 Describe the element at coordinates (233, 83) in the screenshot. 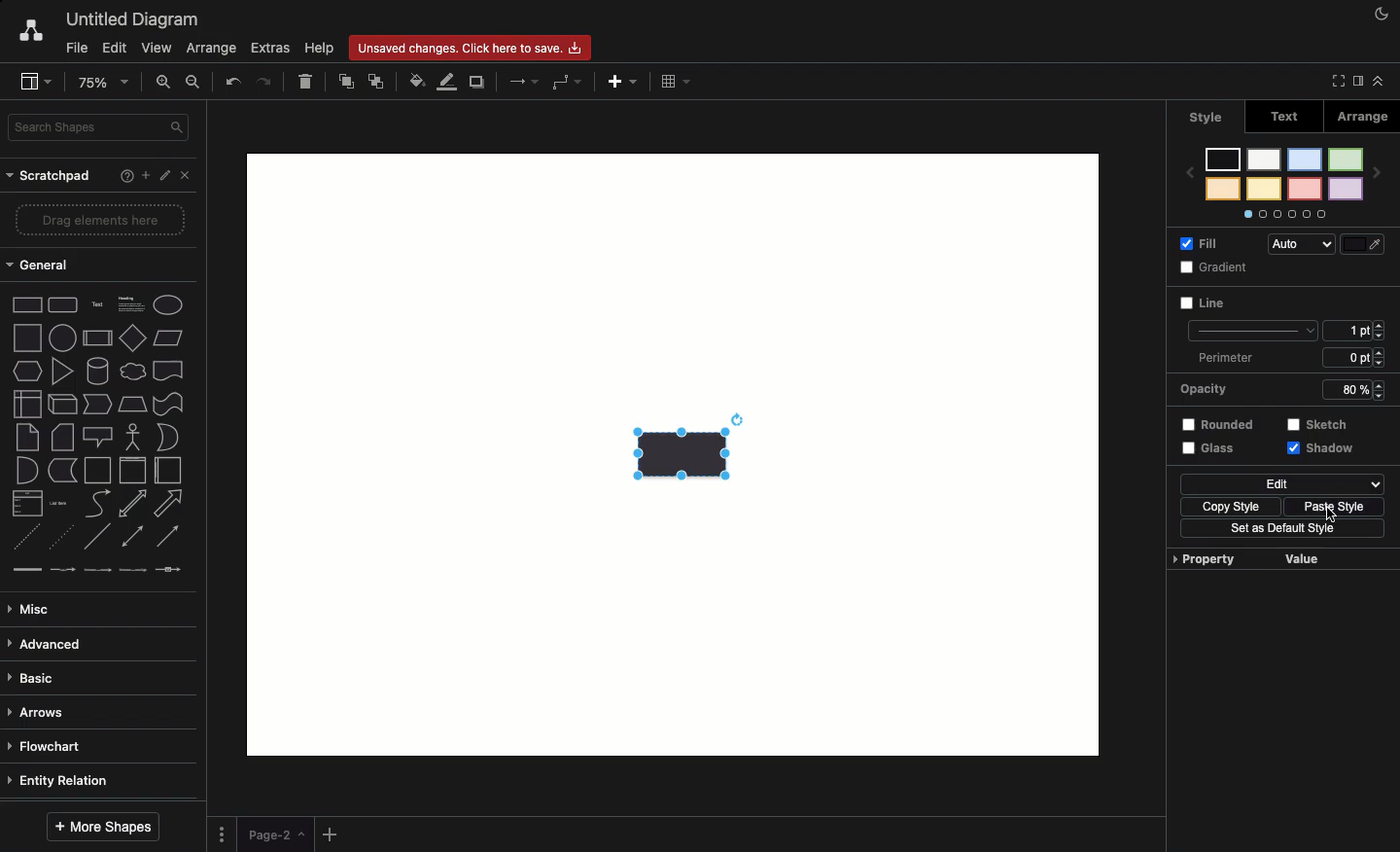

I see `Undo` at that location.